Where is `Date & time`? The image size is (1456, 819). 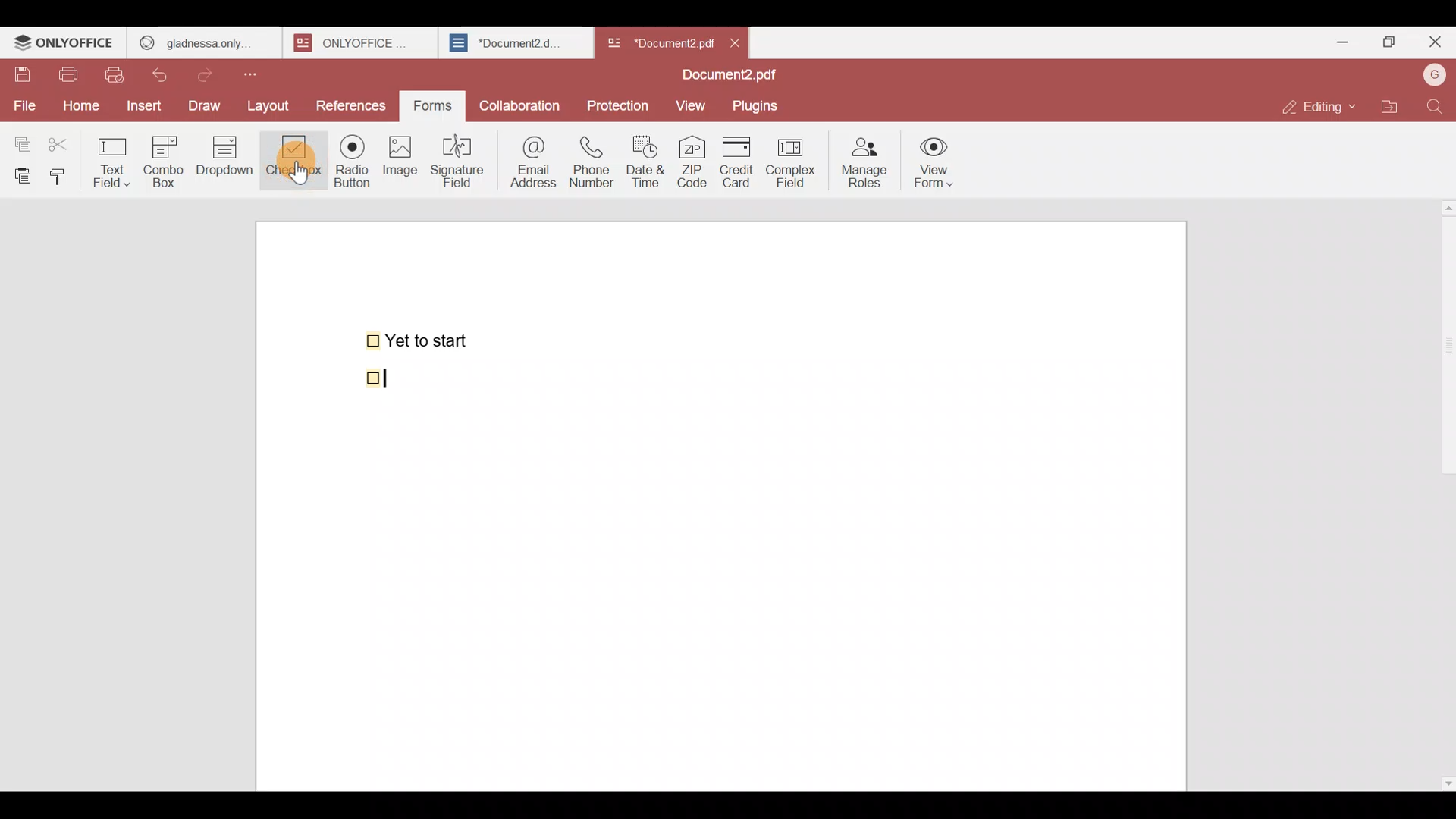 Date & time is located at coordinates (649, 162).